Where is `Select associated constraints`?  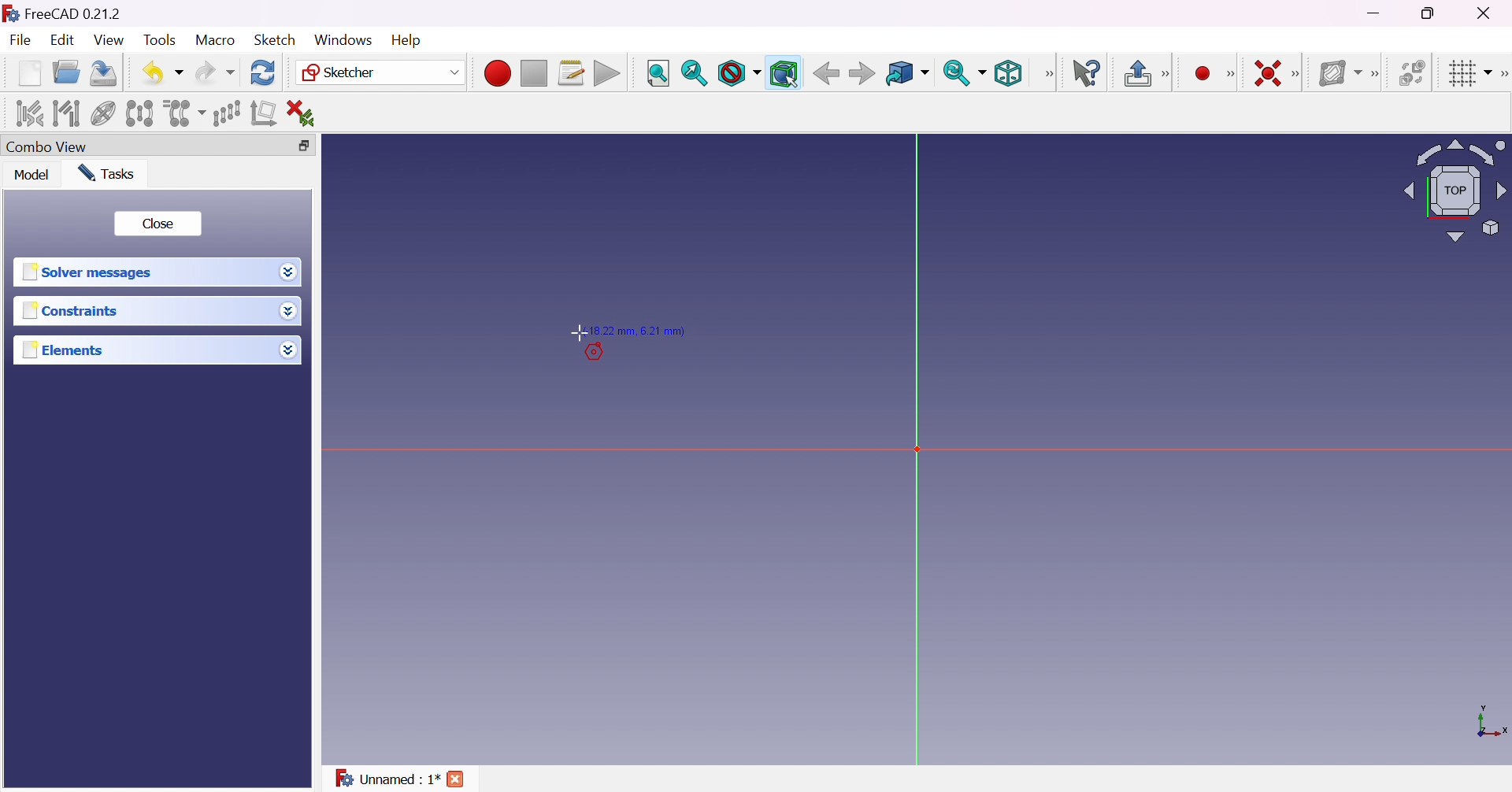
Select associated constraints is located at coordinates (31, 113).